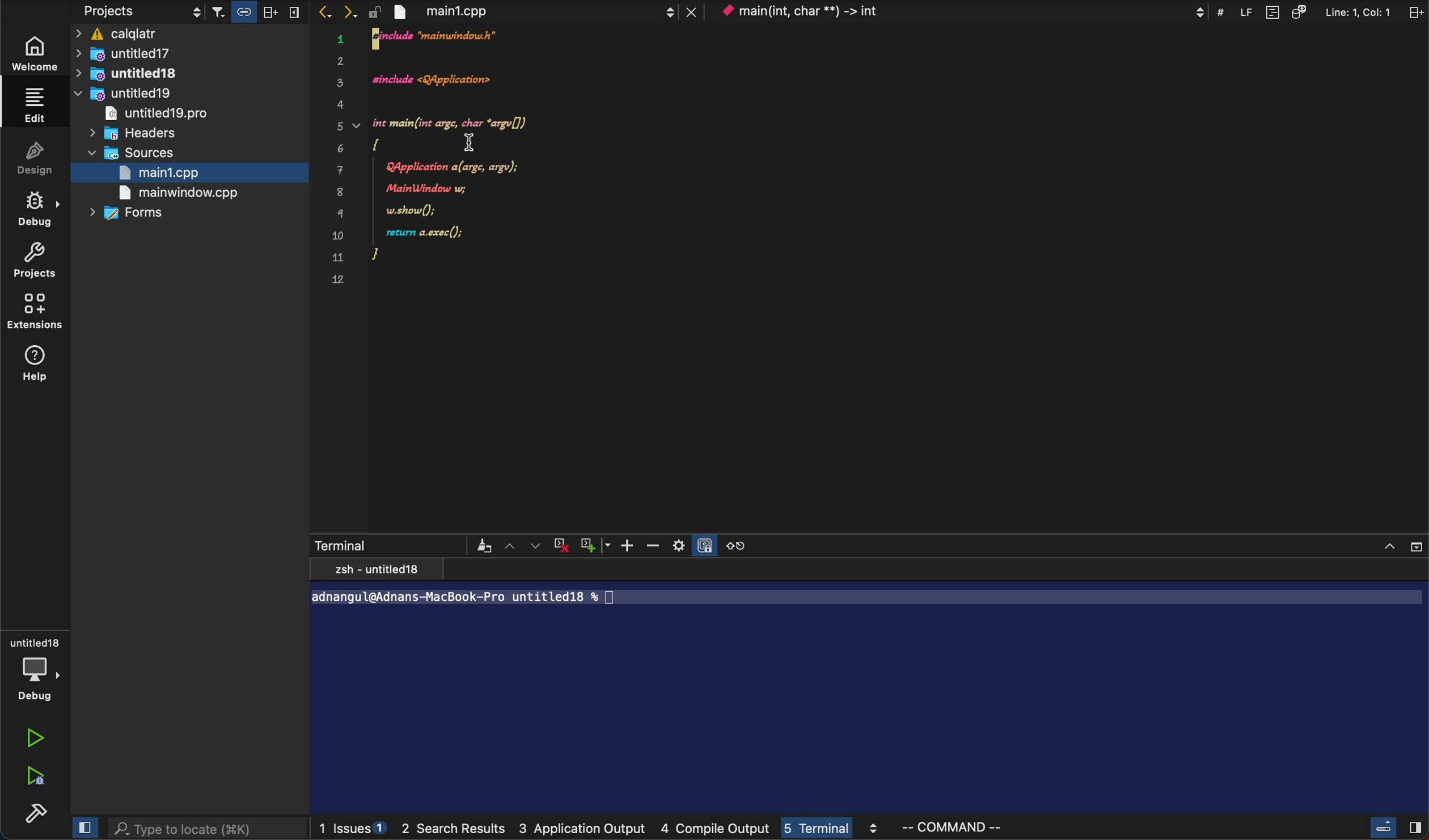 The width and height of the screenshot is (1429, 840). I want to click on file tab, so click(544, 12).